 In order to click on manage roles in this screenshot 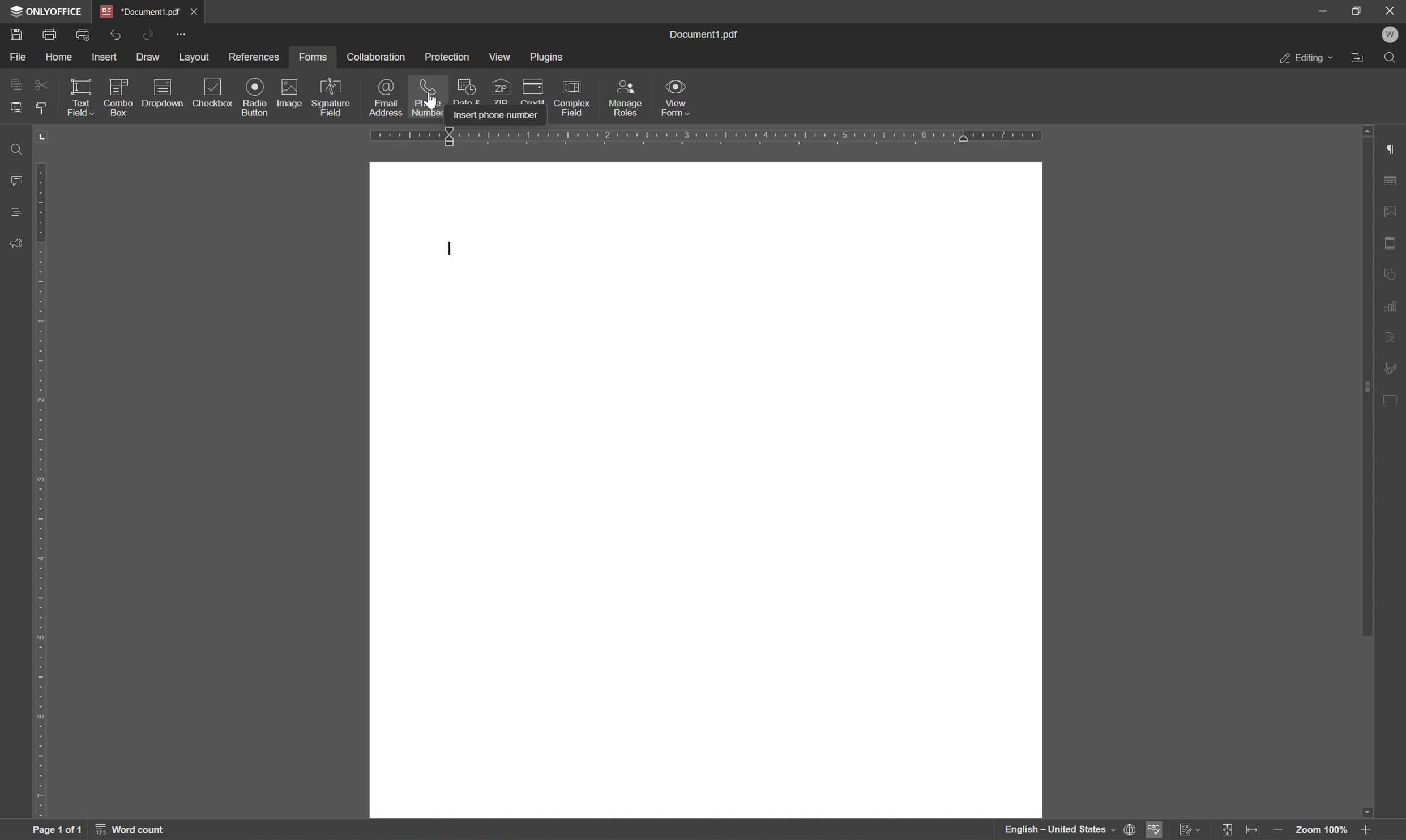, I will do `click(628, 98)`.